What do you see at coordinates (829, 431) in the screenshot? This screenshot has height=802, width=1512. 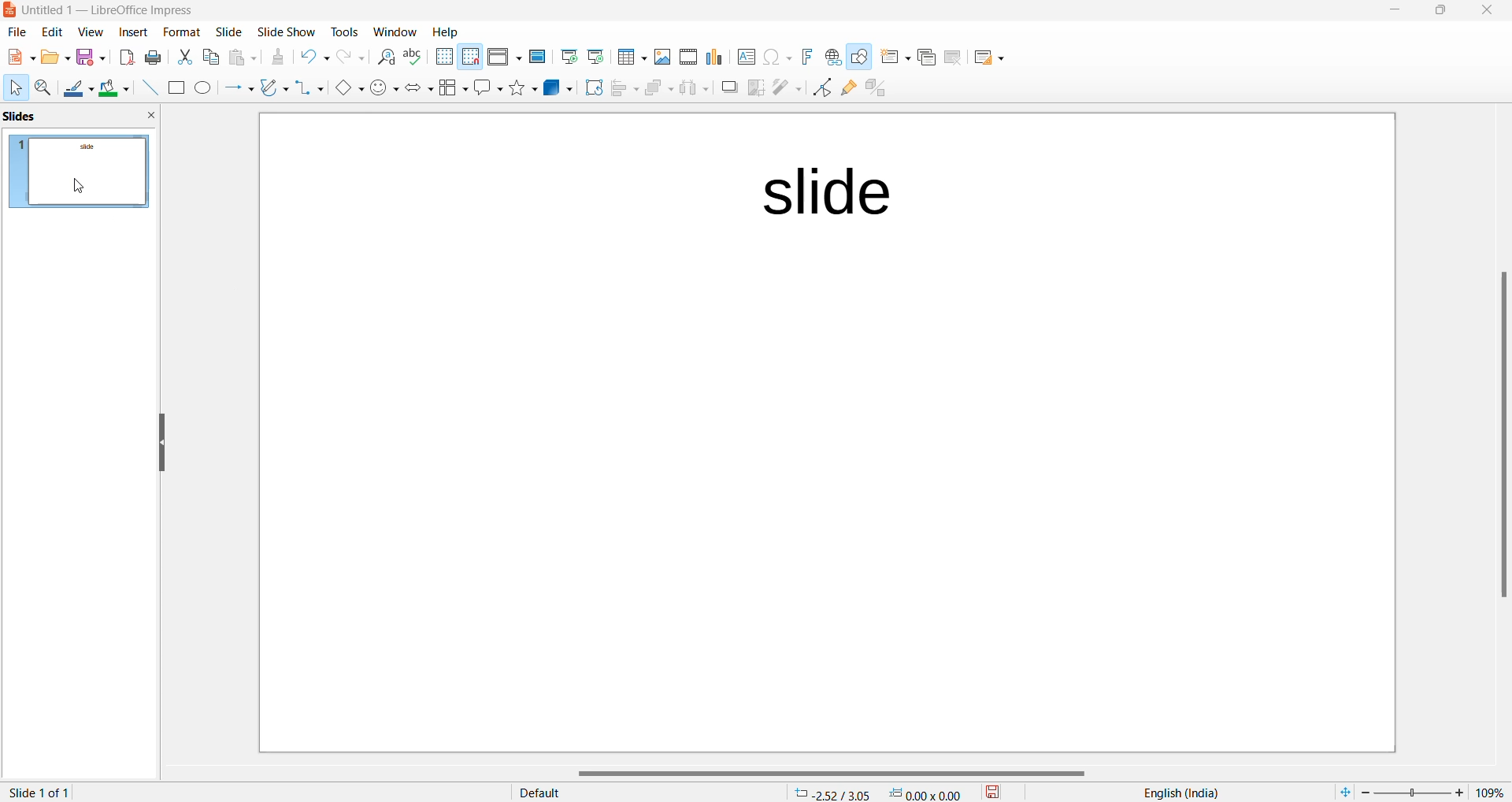 I see `page working area` at bounding box center [829, 431].